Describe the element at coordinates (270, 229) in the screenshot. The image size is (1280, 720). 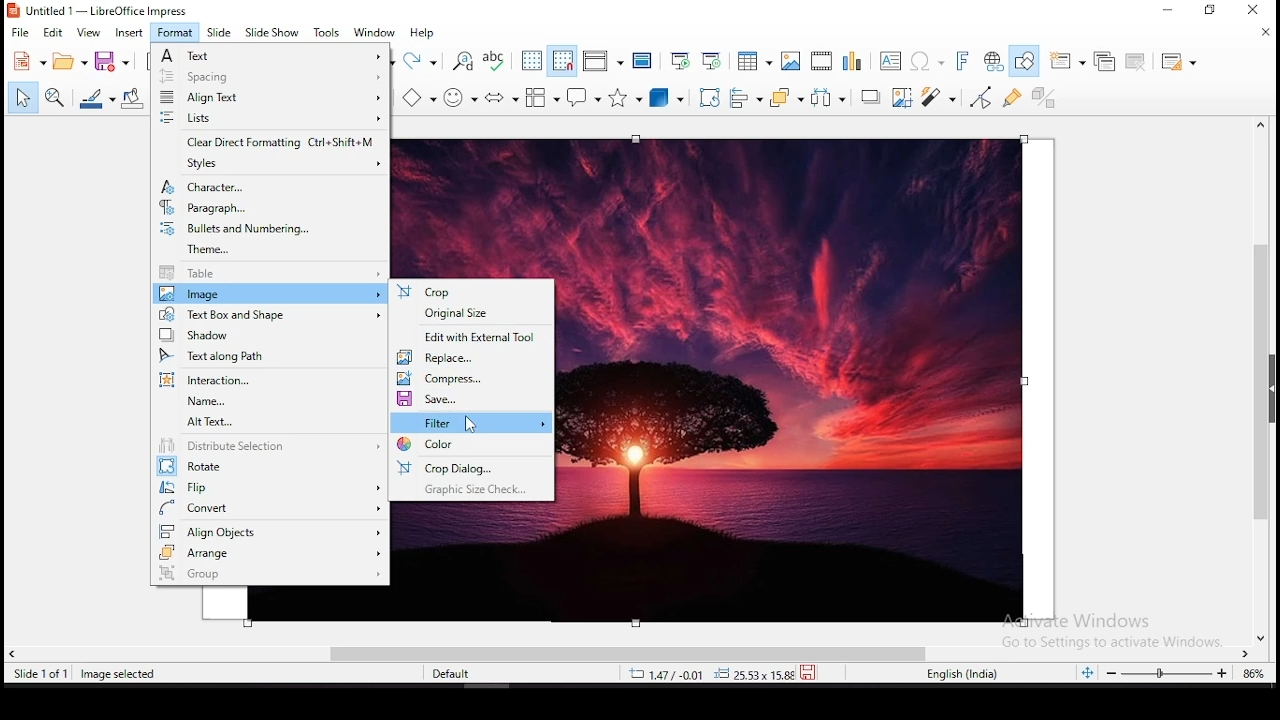
I see `bullets and numbering` at that location.